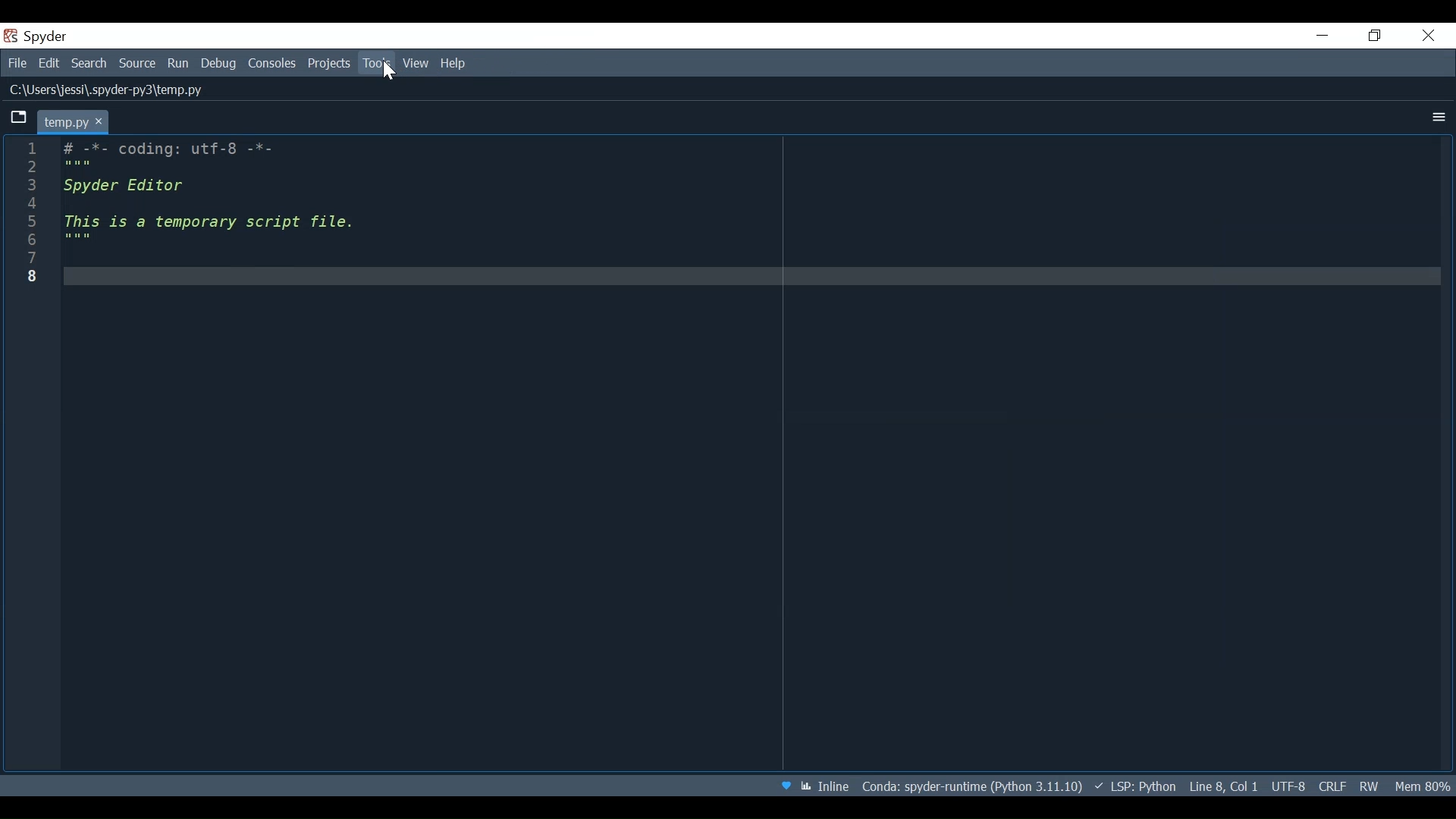  What do you see at coordinates (460, 63) in the screenshot?
I see `Help` at bounding box center [460, 63].